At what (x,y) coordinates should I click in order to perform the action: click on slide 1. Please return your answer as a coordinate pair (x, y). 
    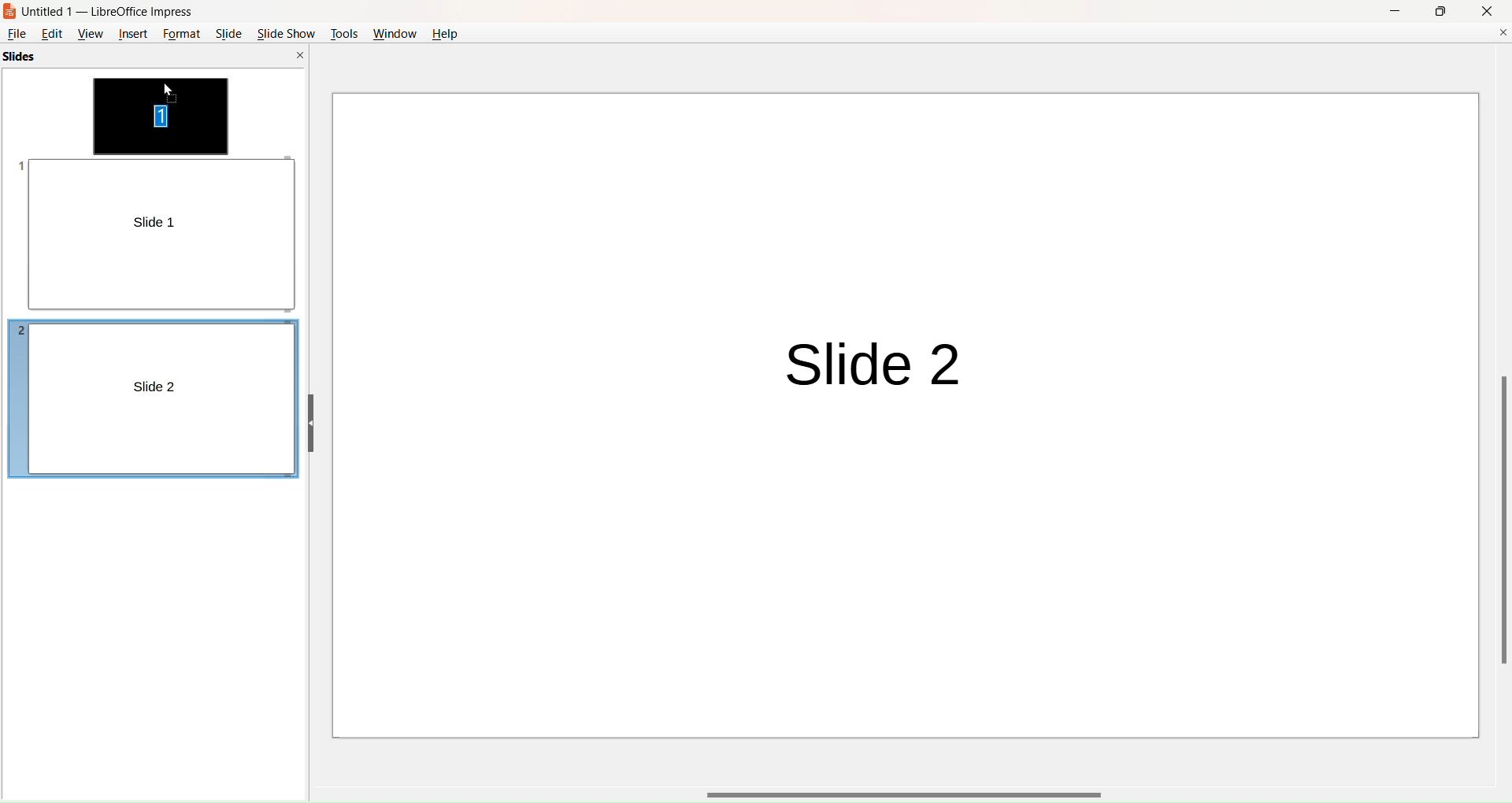
    Looking at the image, I should click on (153, 225).